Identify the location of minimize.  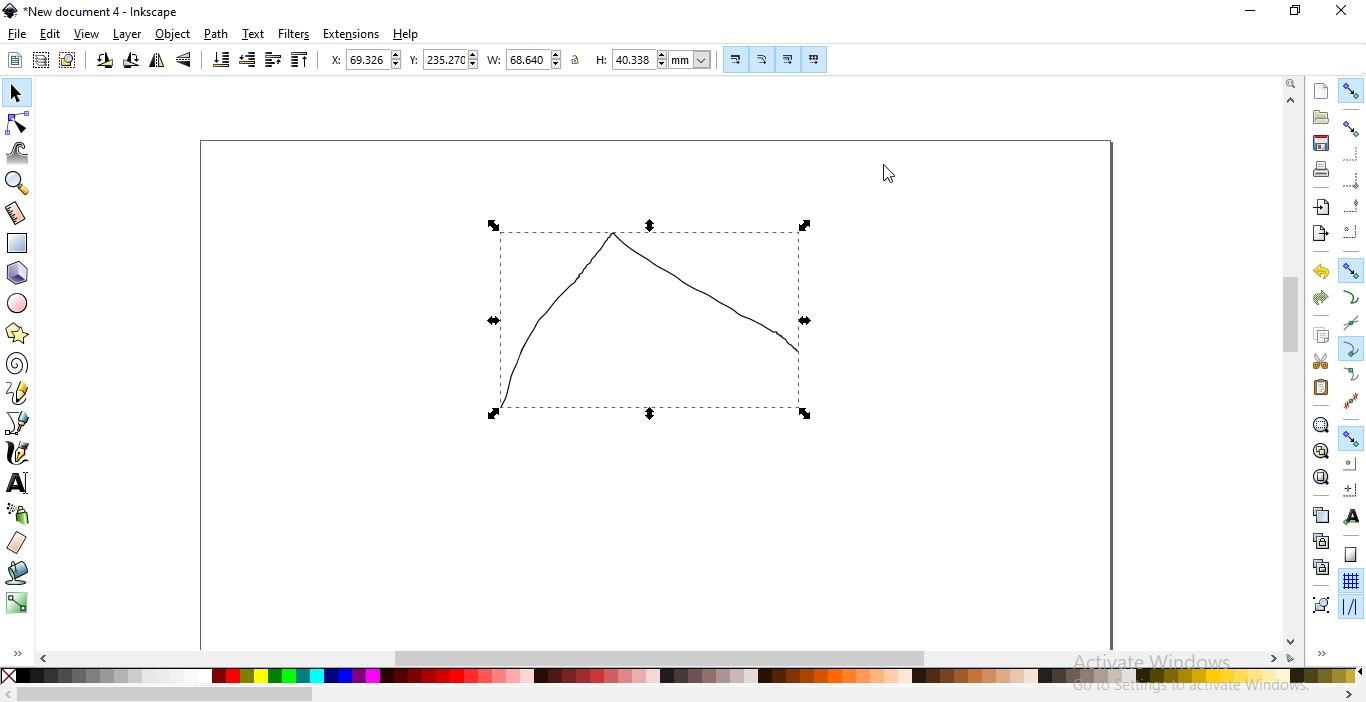
(1252, 9).